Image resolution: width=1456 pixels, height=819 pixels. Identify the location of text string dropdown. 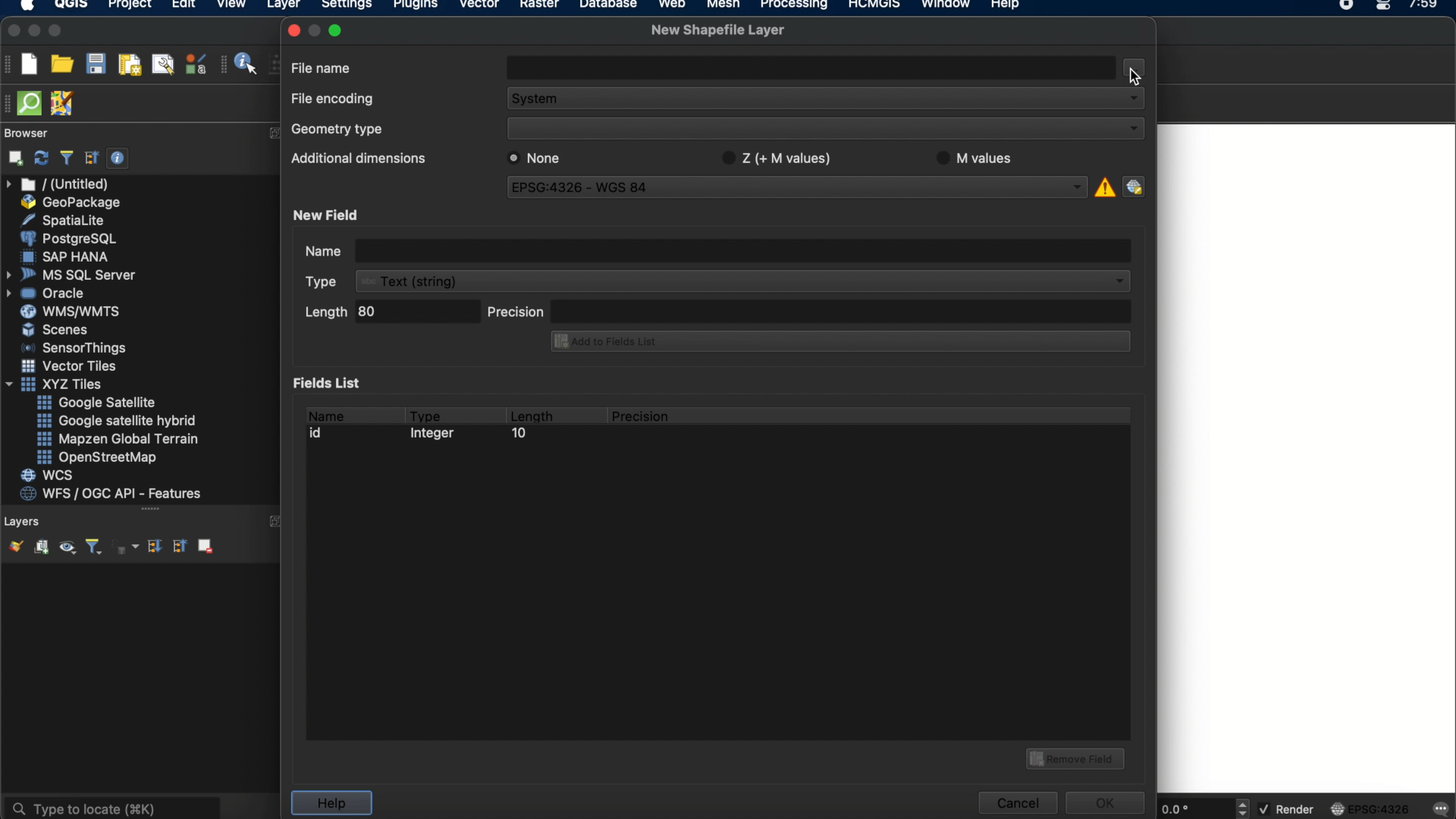
(743, 281).